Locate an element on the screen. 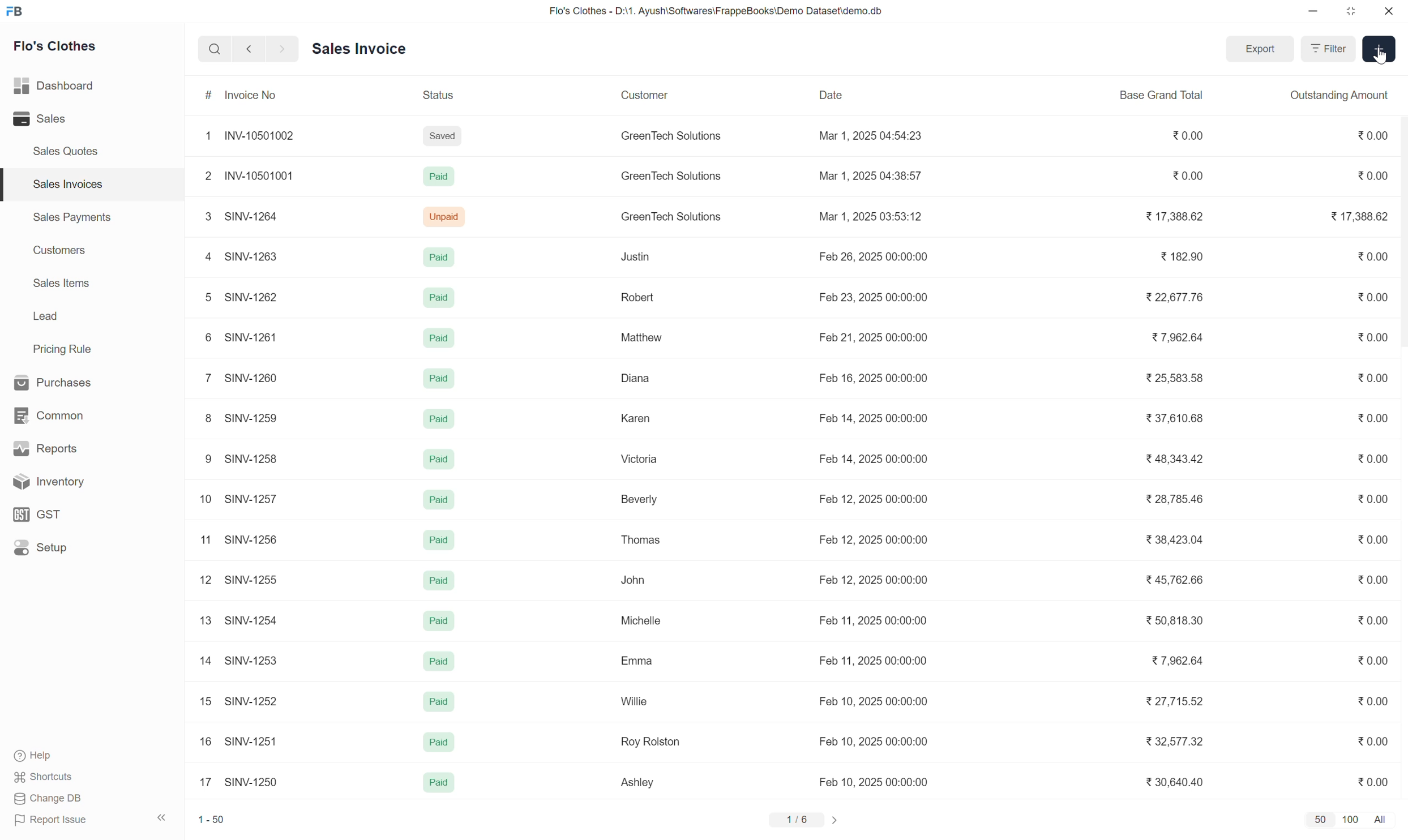  Emma is located at coordinates (640, 663).